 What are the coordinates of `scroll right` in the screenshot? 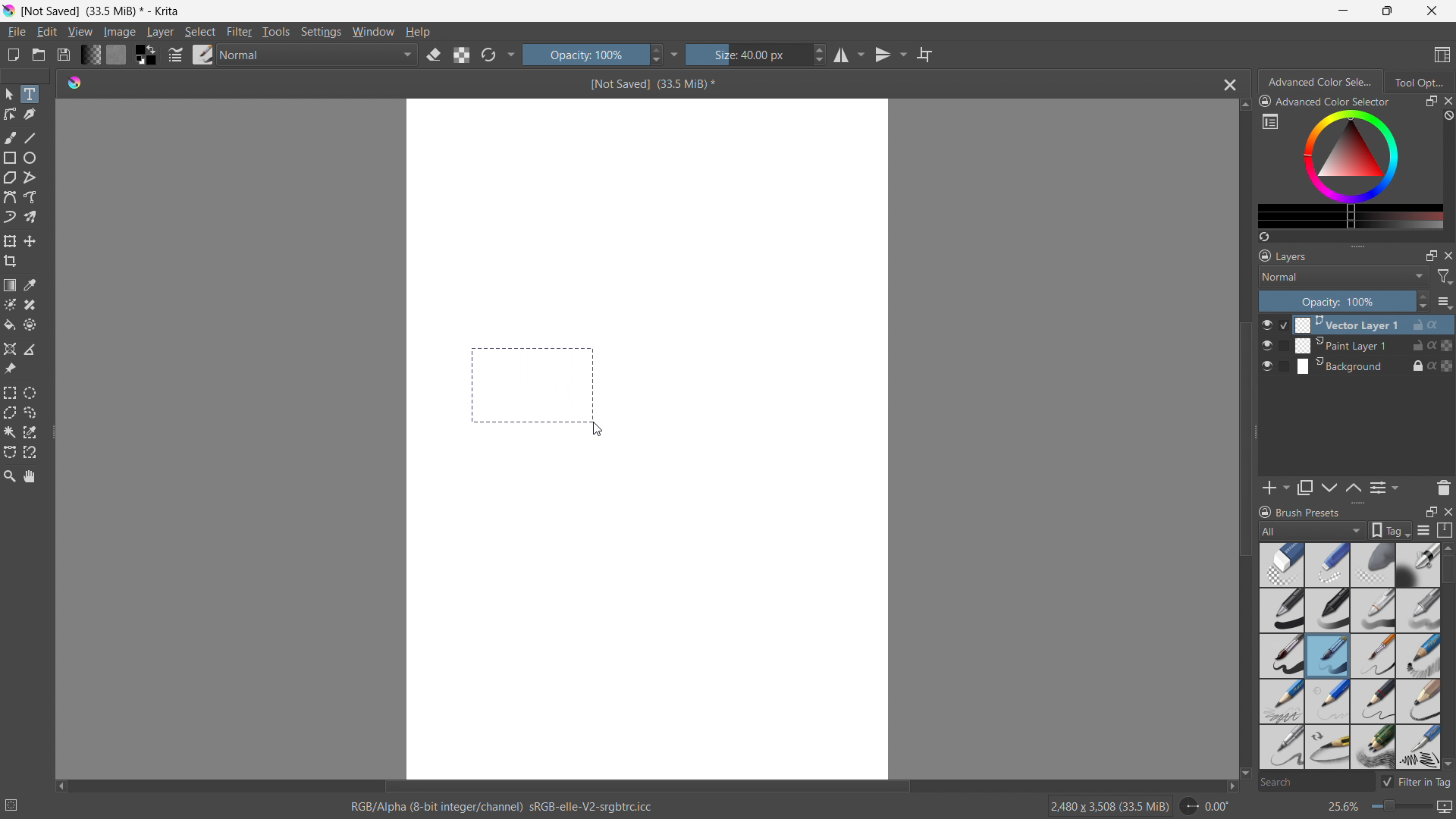 It's located at (1227, 786).